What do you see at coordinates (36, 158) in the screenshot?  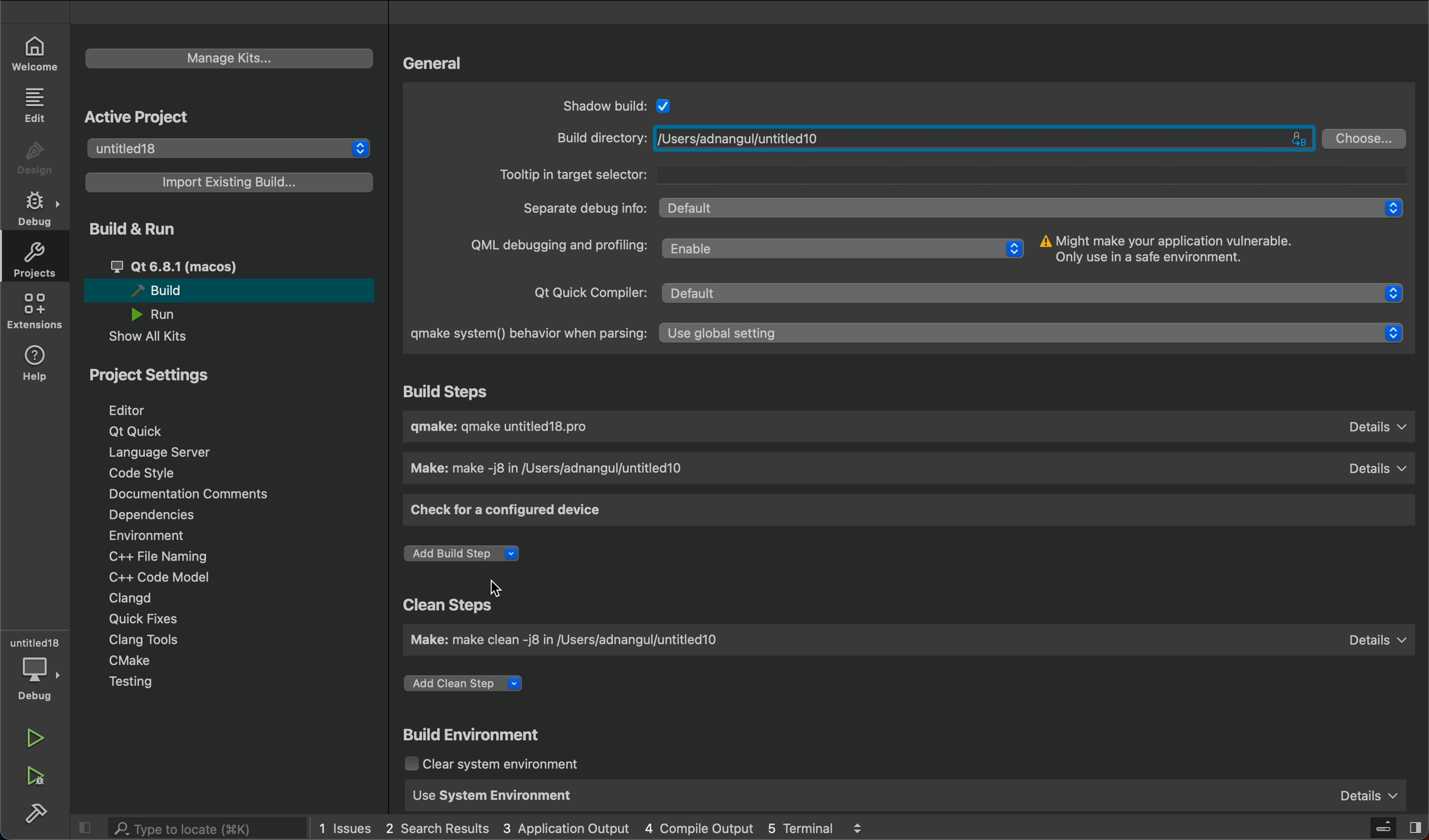 I see `design` at bounding box center [36, 158].